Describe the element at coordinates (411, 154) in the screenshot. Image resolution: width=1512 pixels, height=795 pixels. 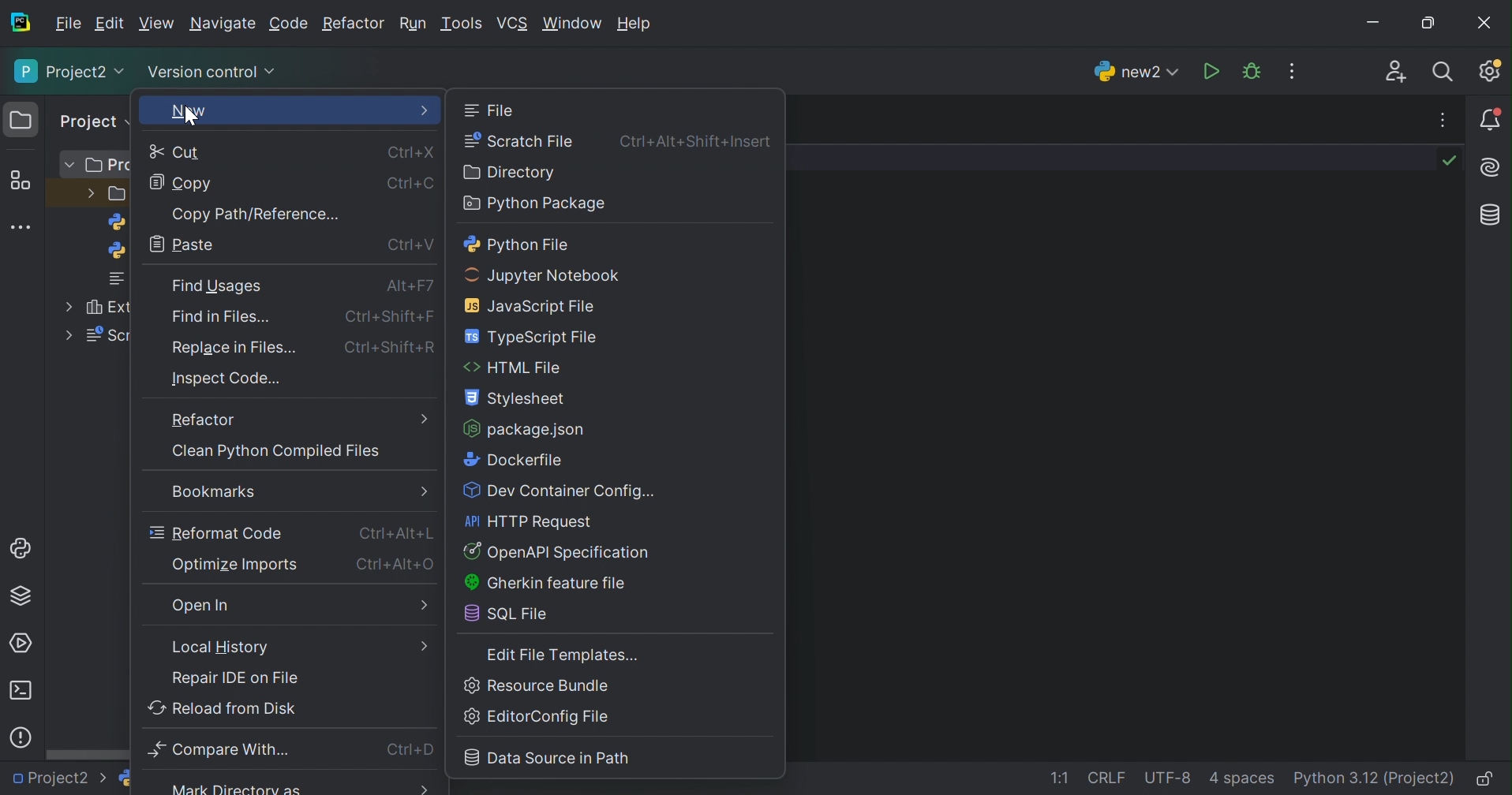
I see `Ctrl+X` at that location.